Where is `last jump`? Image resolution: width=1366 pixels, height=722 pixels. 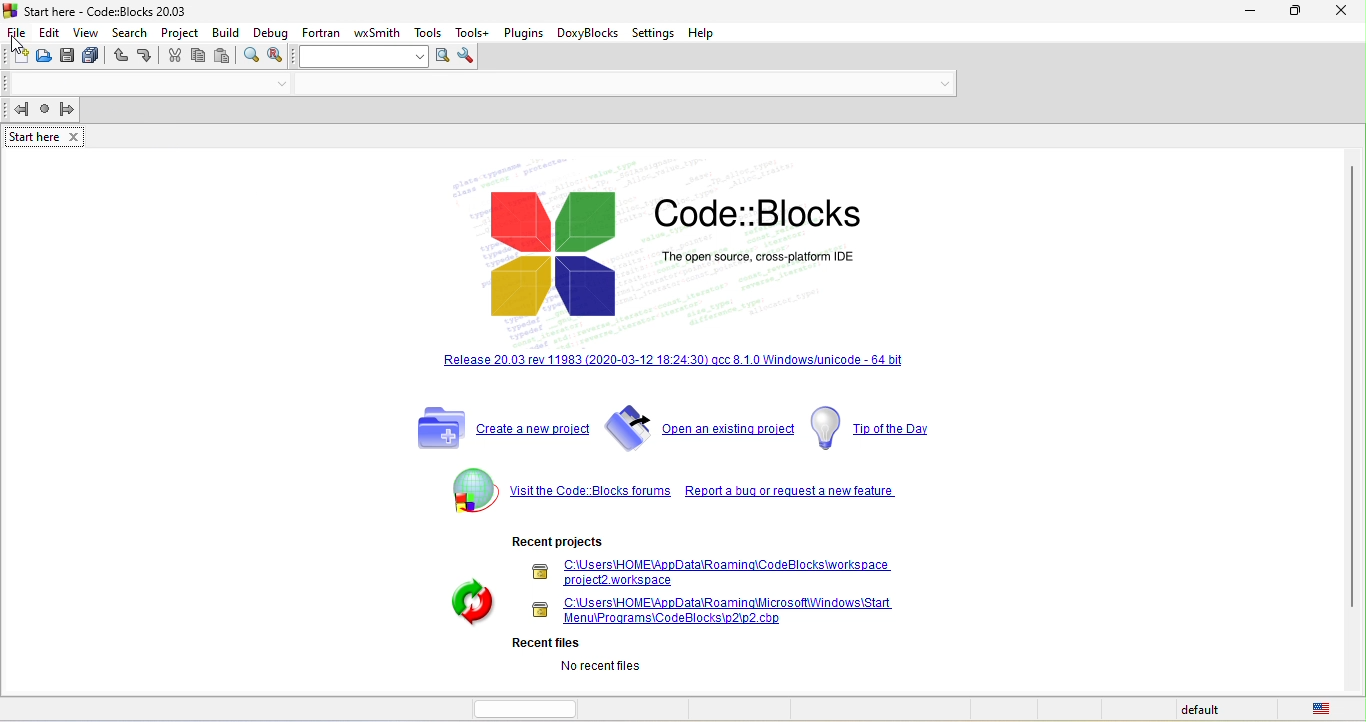 last jump is located at coordinates (45, 111).